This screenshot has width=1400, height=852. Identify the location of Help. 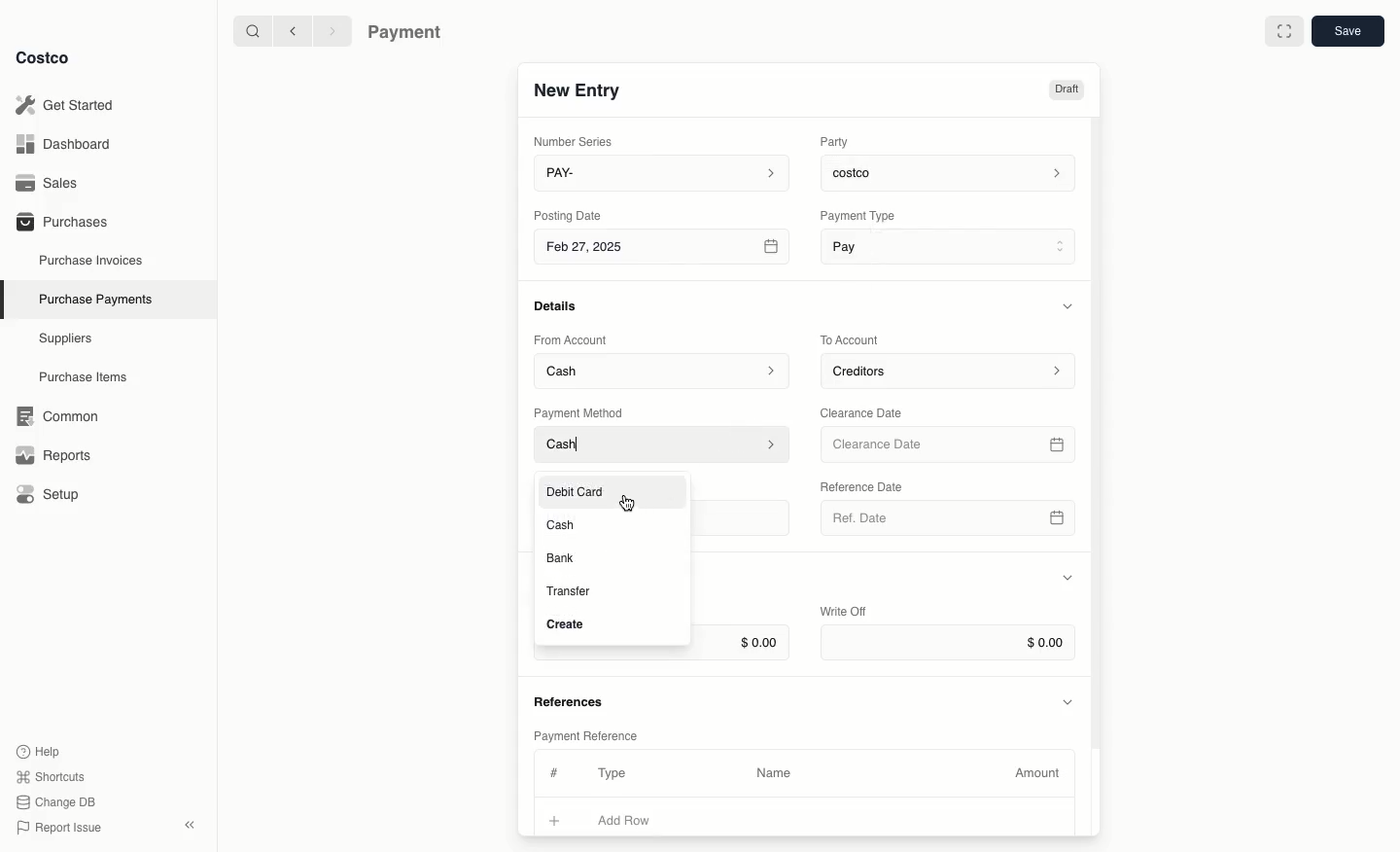
(38, 750).